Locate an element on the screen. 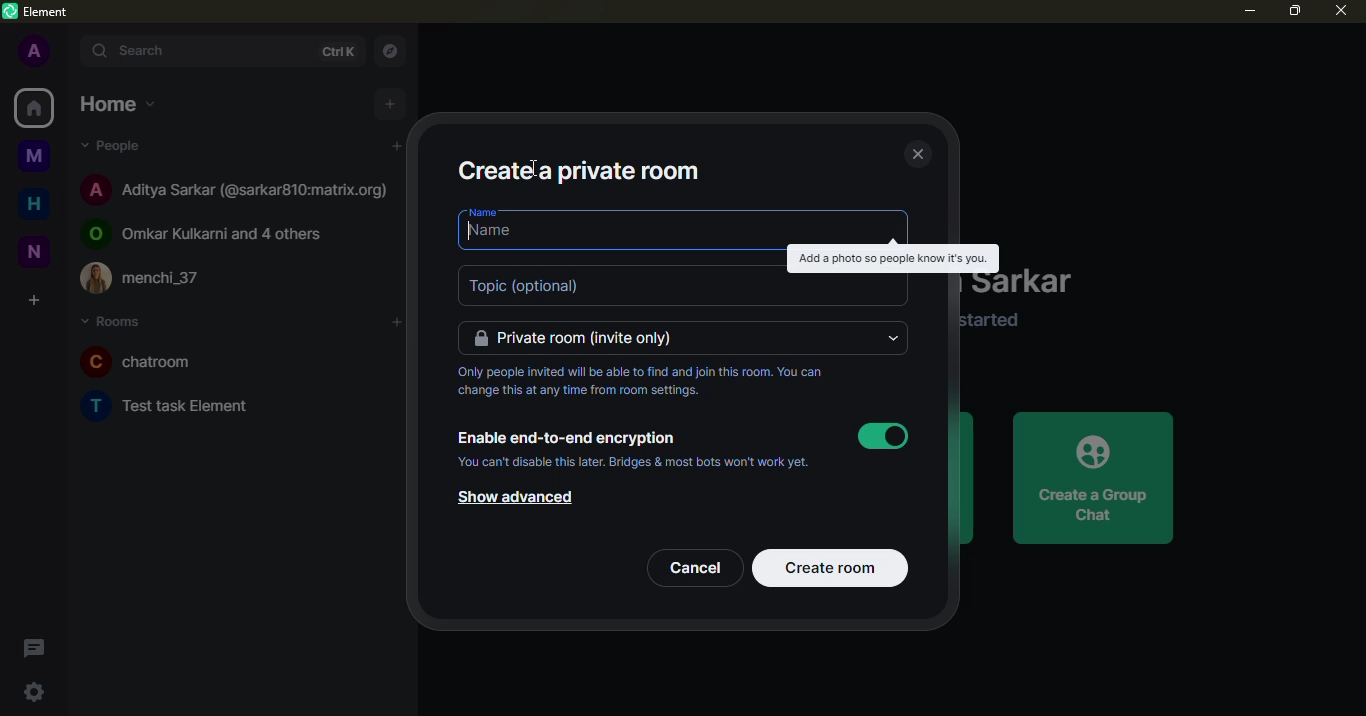  close is located at coordinates (1342, 12).